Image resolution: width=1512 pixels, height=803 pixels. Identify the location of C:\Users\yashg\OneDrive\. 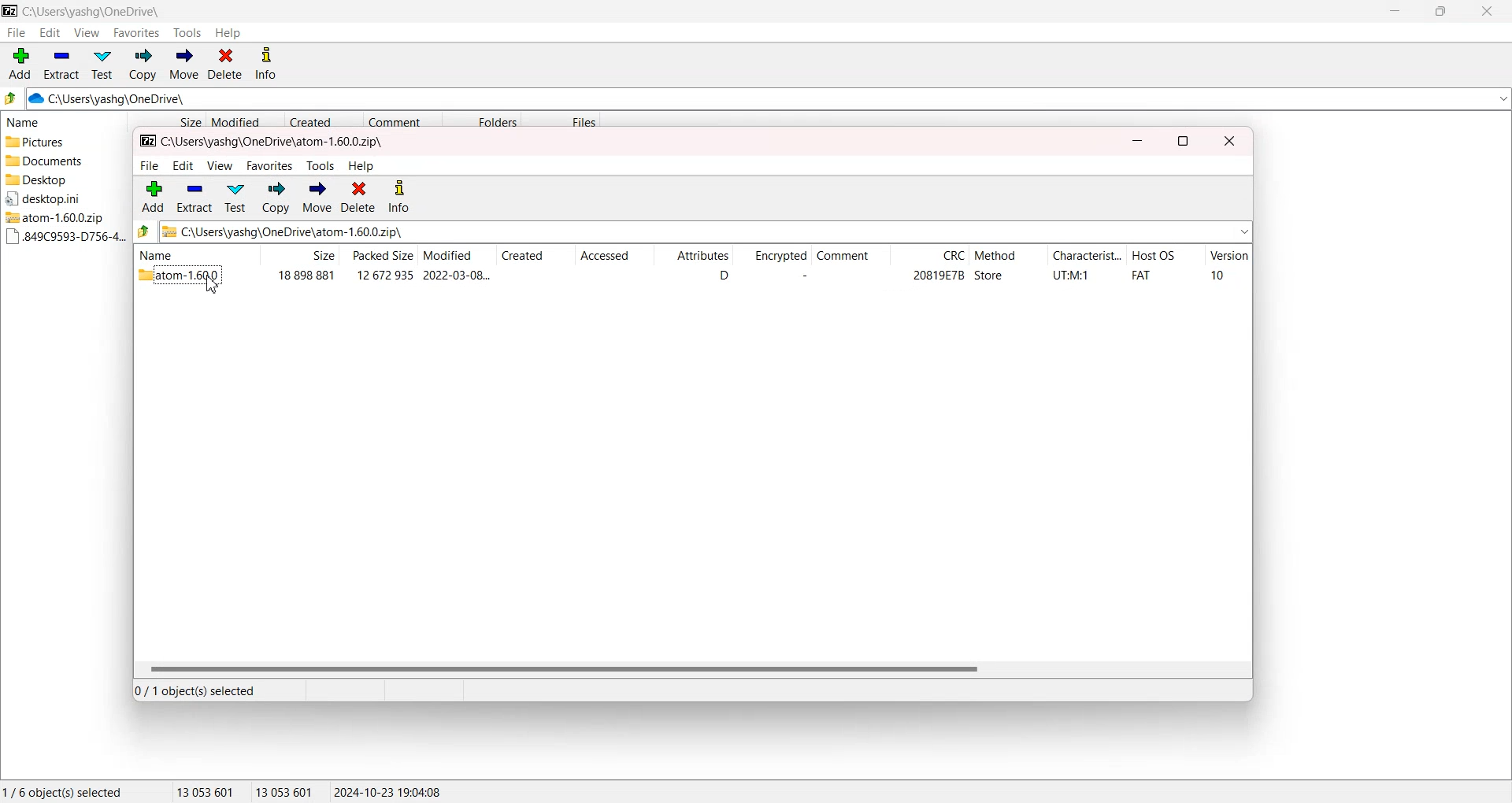
(130, 99).